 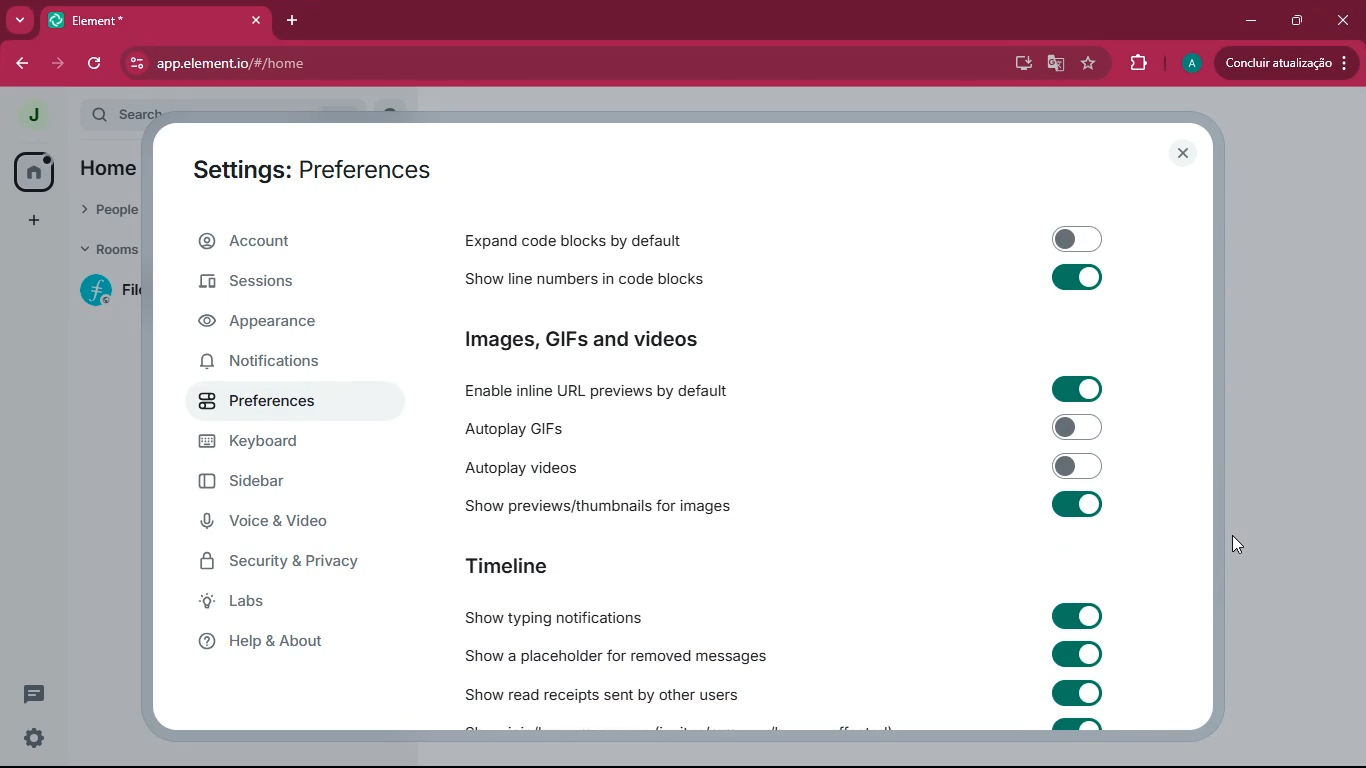 I want to click on enable inline URL previews by default, so click(x=602, y=387).